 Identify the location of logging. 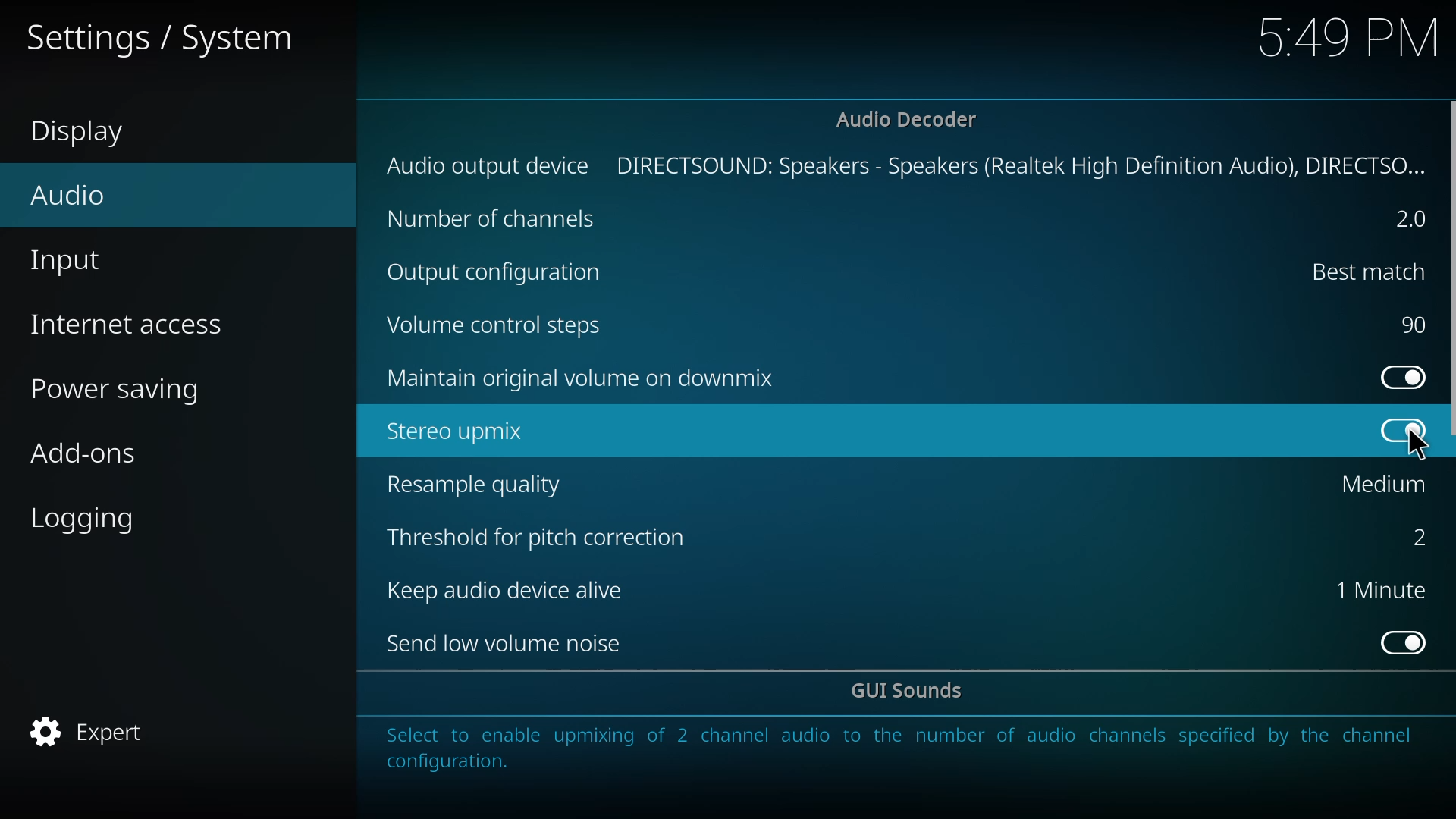
(93, 518).